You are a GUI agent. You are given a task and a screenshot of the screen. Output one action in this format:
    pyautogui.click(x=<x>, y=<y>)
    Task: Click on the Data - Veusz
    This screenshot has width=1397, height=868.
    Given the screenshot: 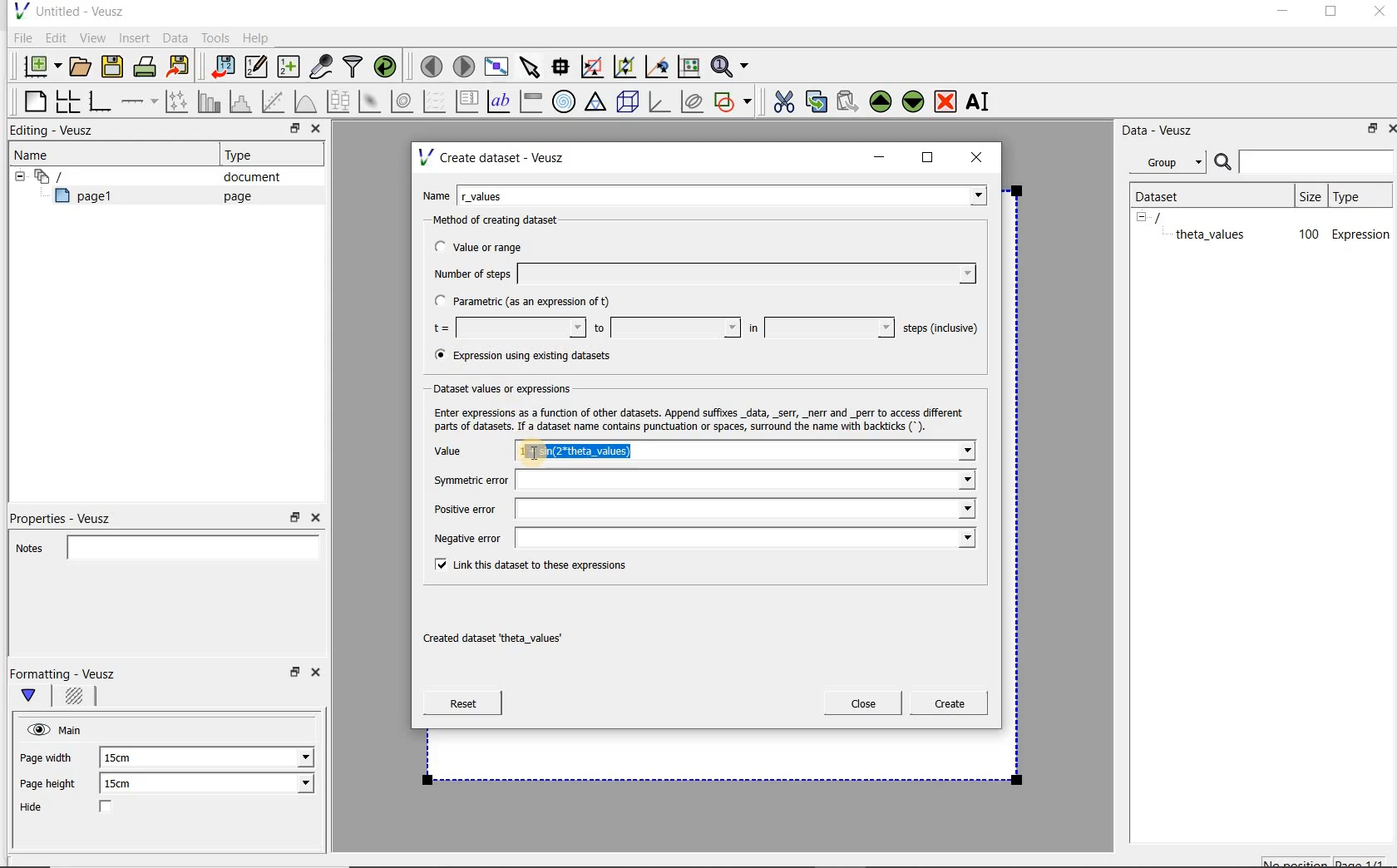 What is the action you would take?
    pyautogui.click(x=1163, y=130)
    